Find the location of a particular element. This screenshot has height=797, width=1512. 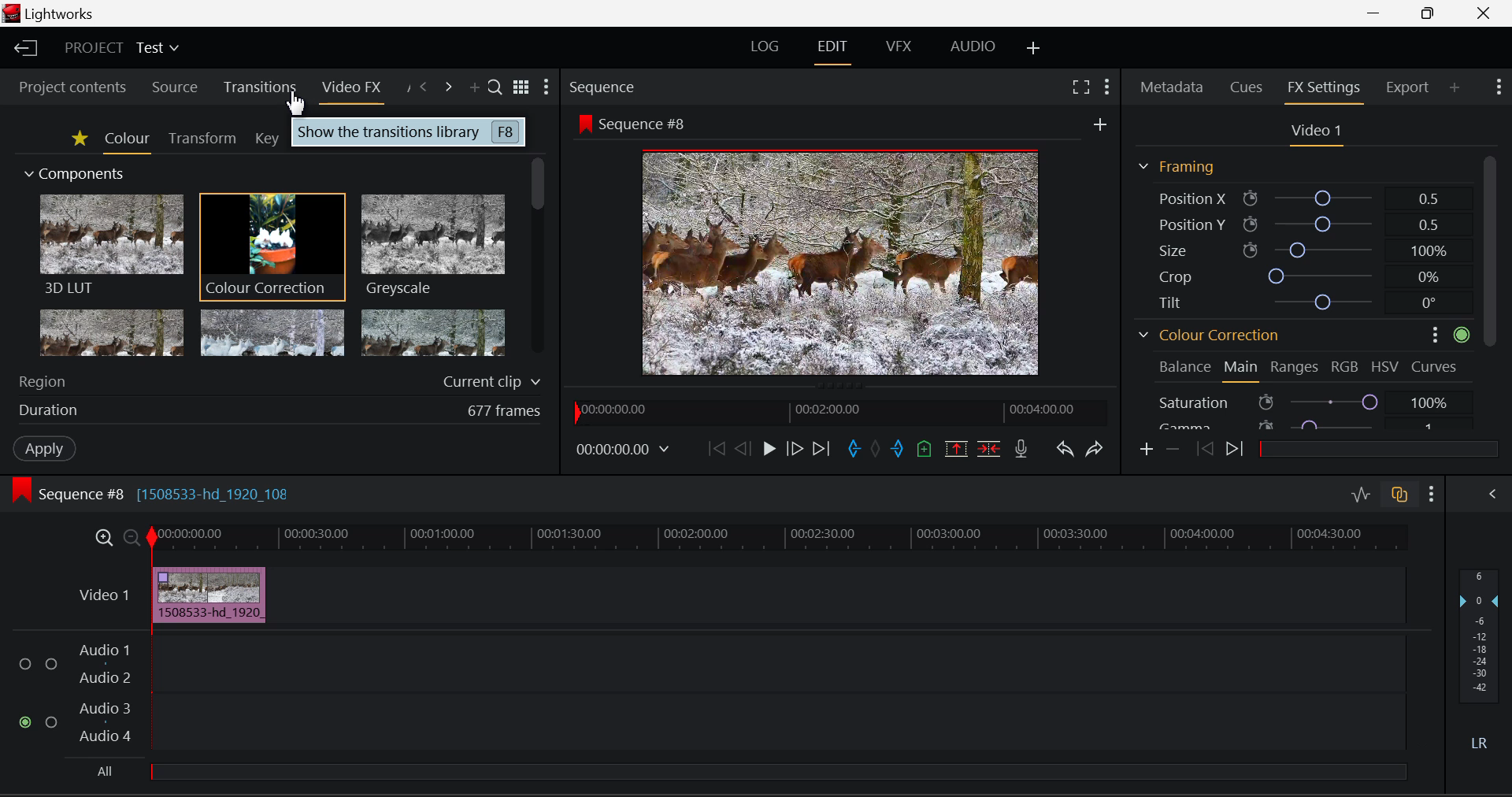

Size is located at coordinates (1296, 250).